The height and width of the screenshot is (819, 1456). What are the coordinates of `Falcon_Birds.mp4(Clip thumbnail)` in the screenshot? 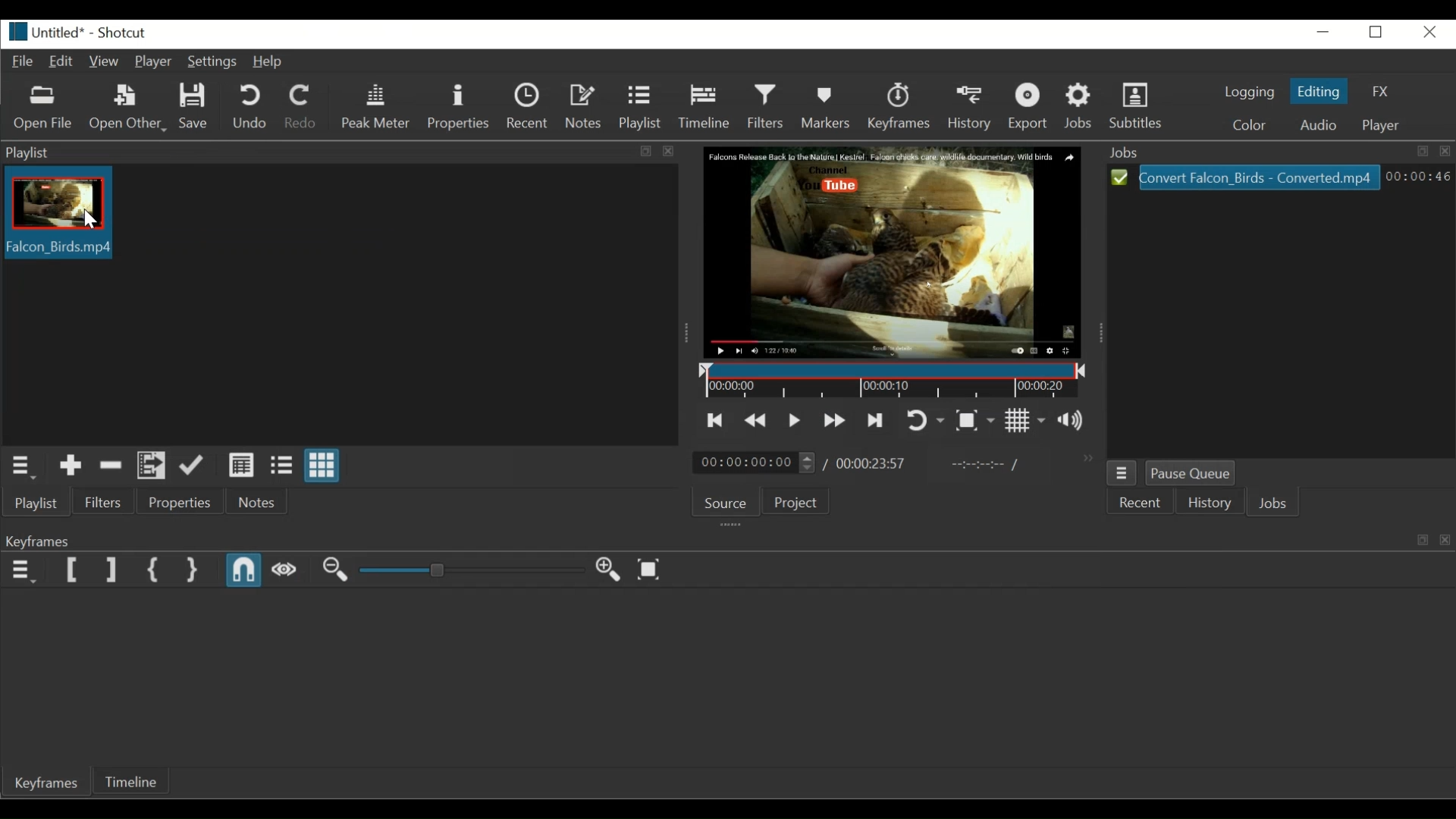 It's located at (67, 216).